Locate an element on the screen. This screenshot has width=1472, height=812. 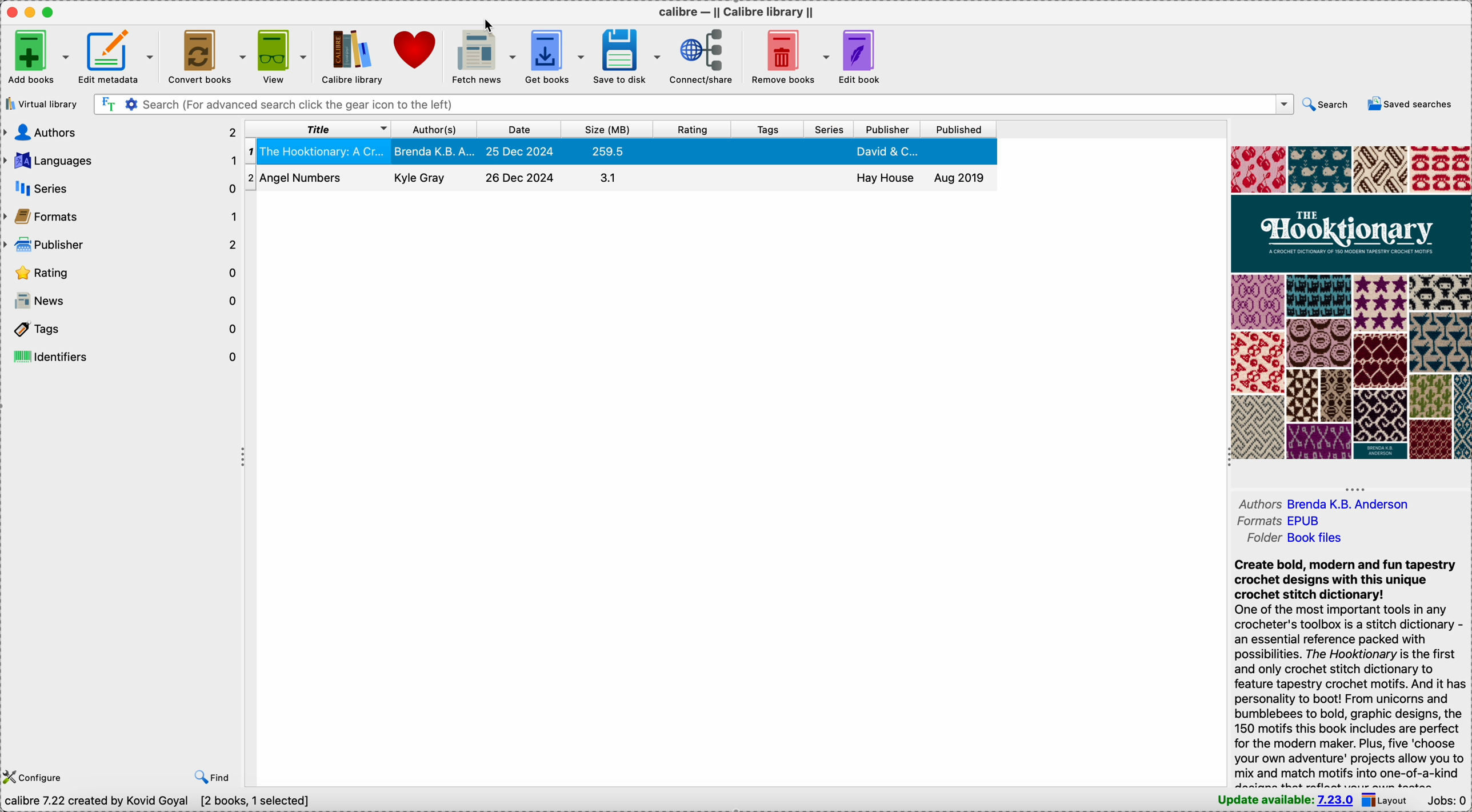
publisher is located at coordinates (122, 245).